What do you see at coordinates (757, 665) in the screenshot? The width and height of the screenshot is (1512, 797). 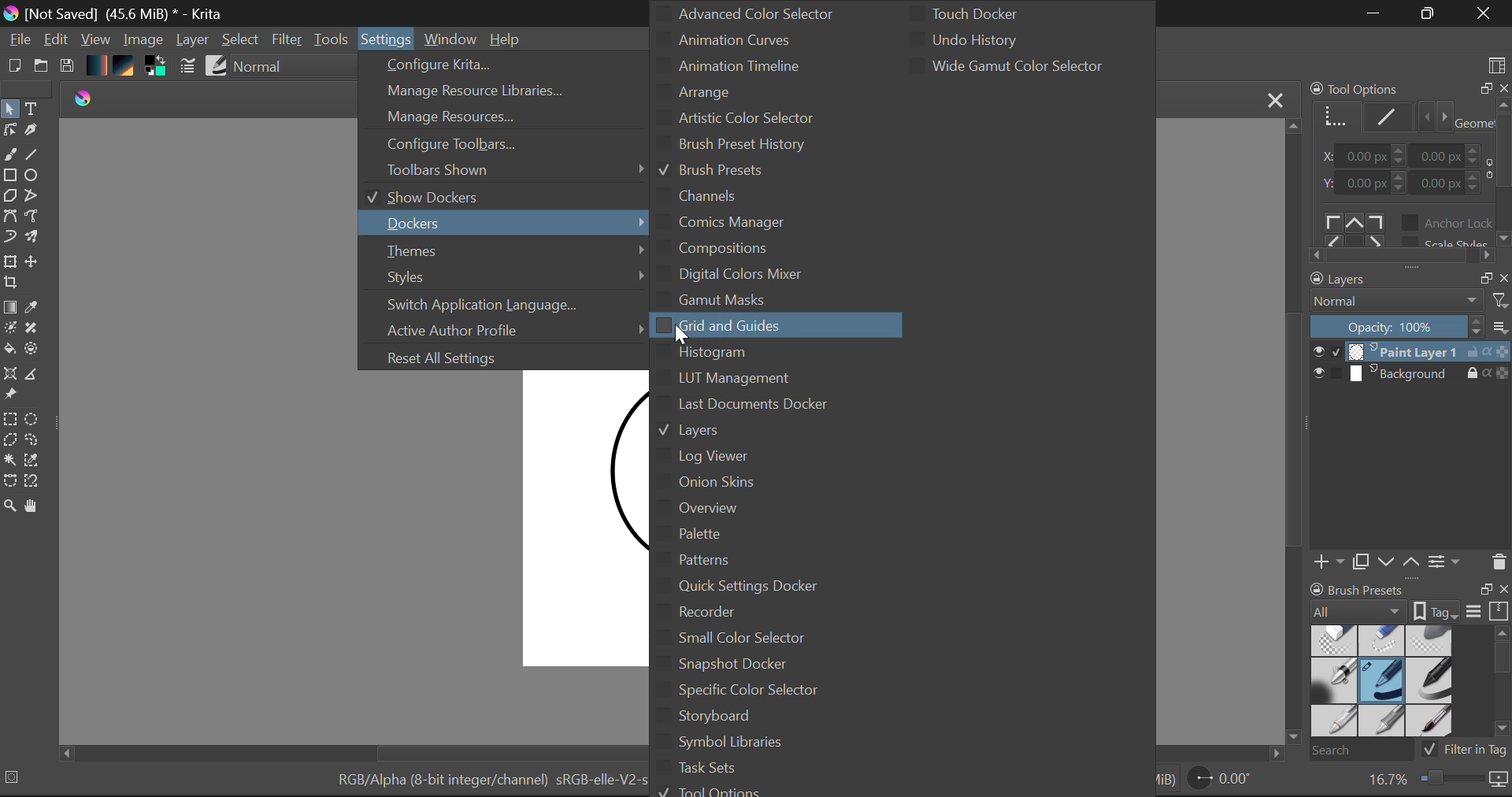 I see `Snapshot Docker` at bounding box center [757, 665].